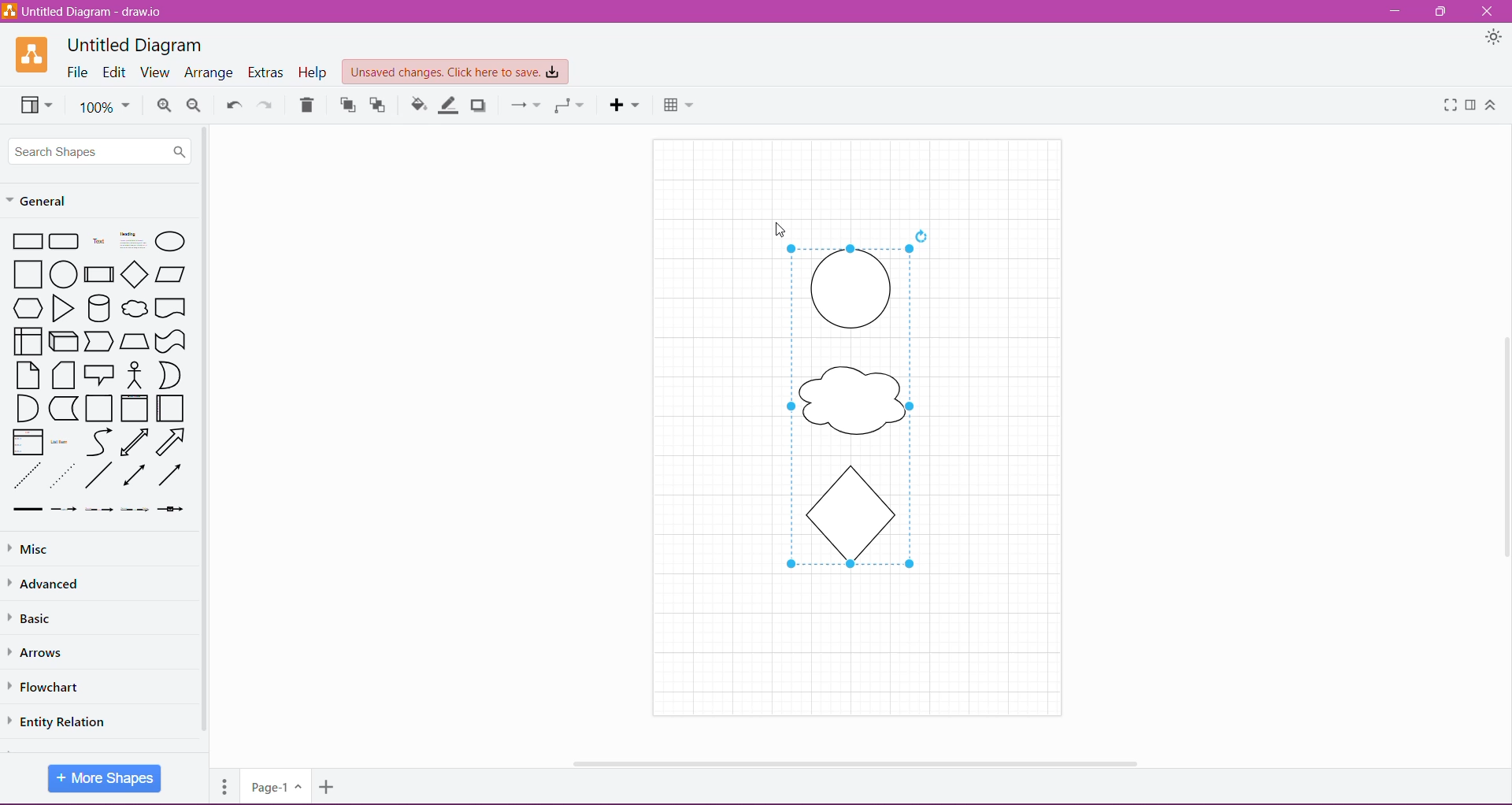 The image size is (1512, 805). I want to click on Vertical Scroll Bar, so click(205, 431).